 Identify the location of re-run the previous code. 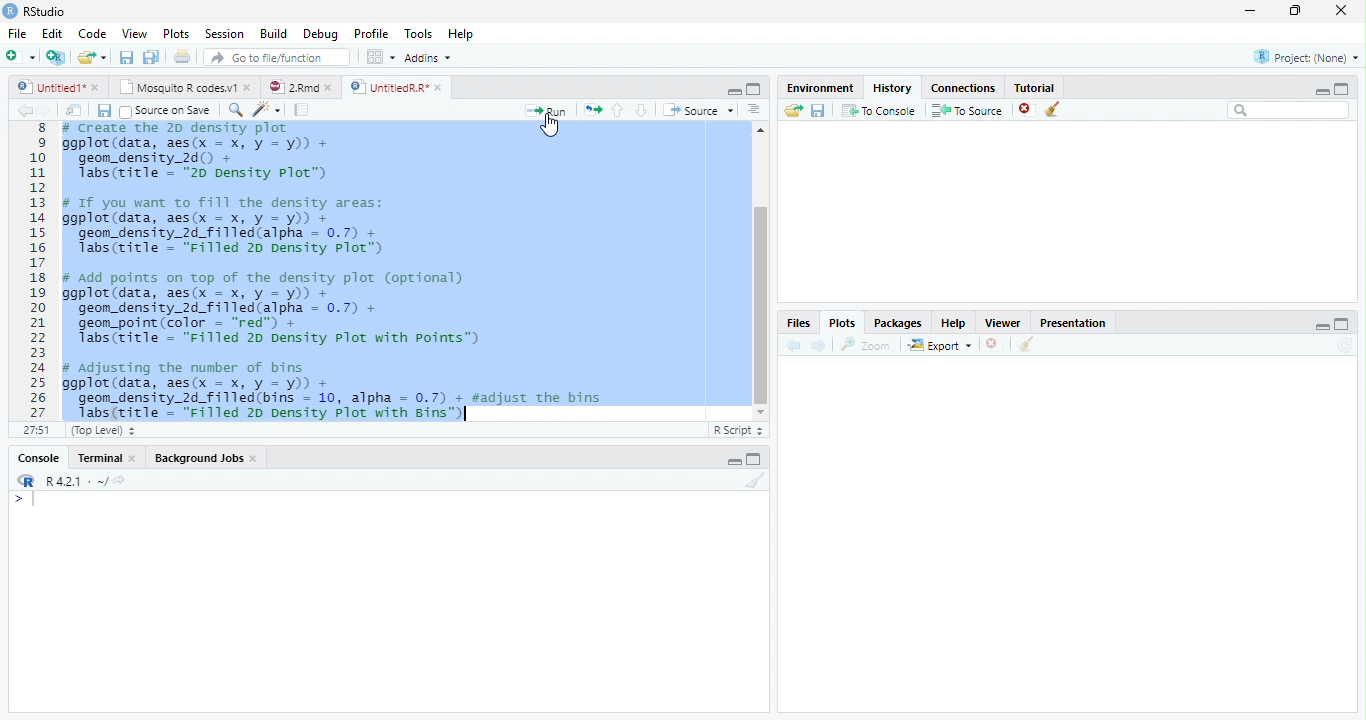
(592, 109).